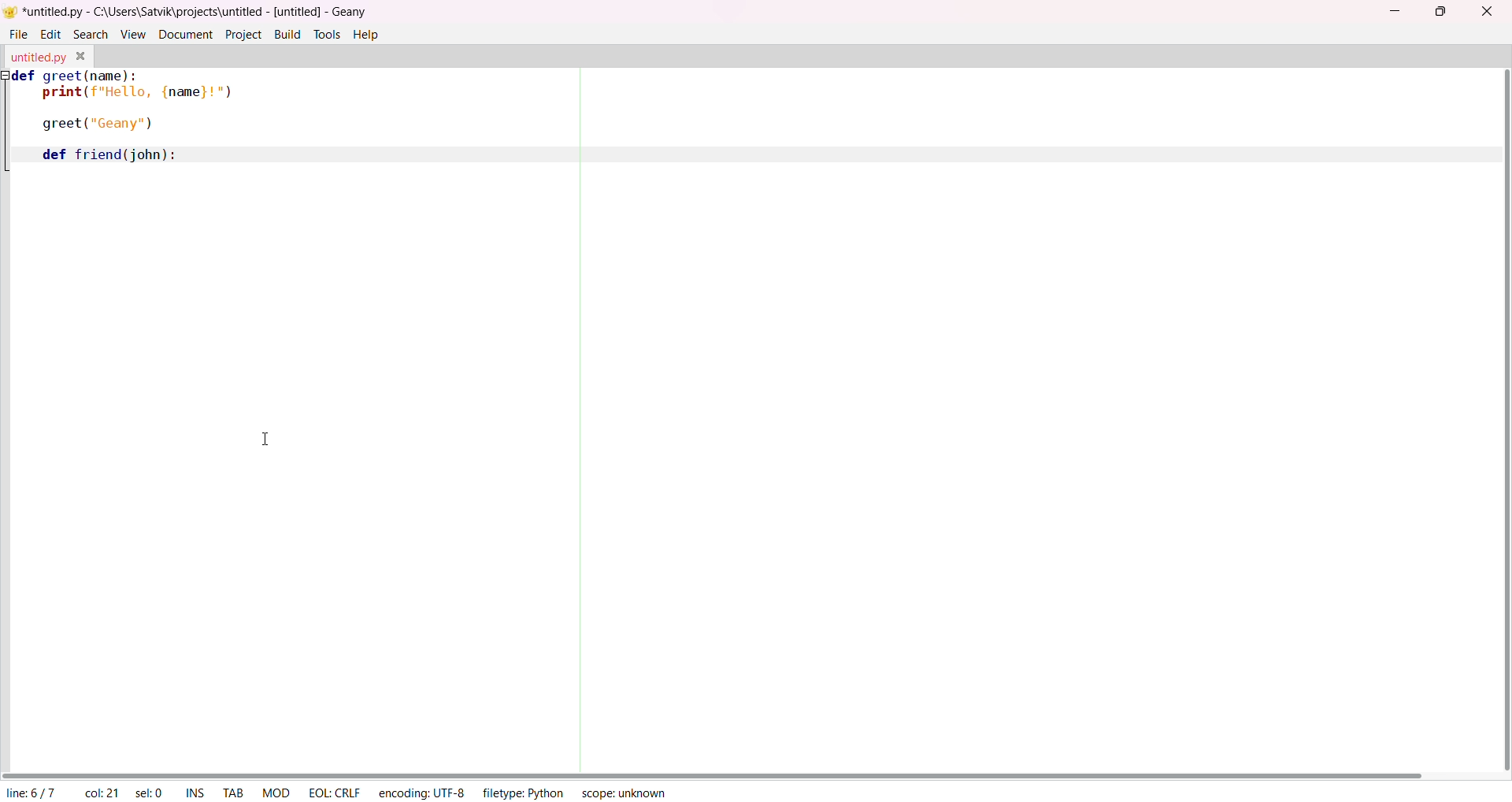 This screenshot has height=802, width=1512. I want to click on help, so click(366, 35).